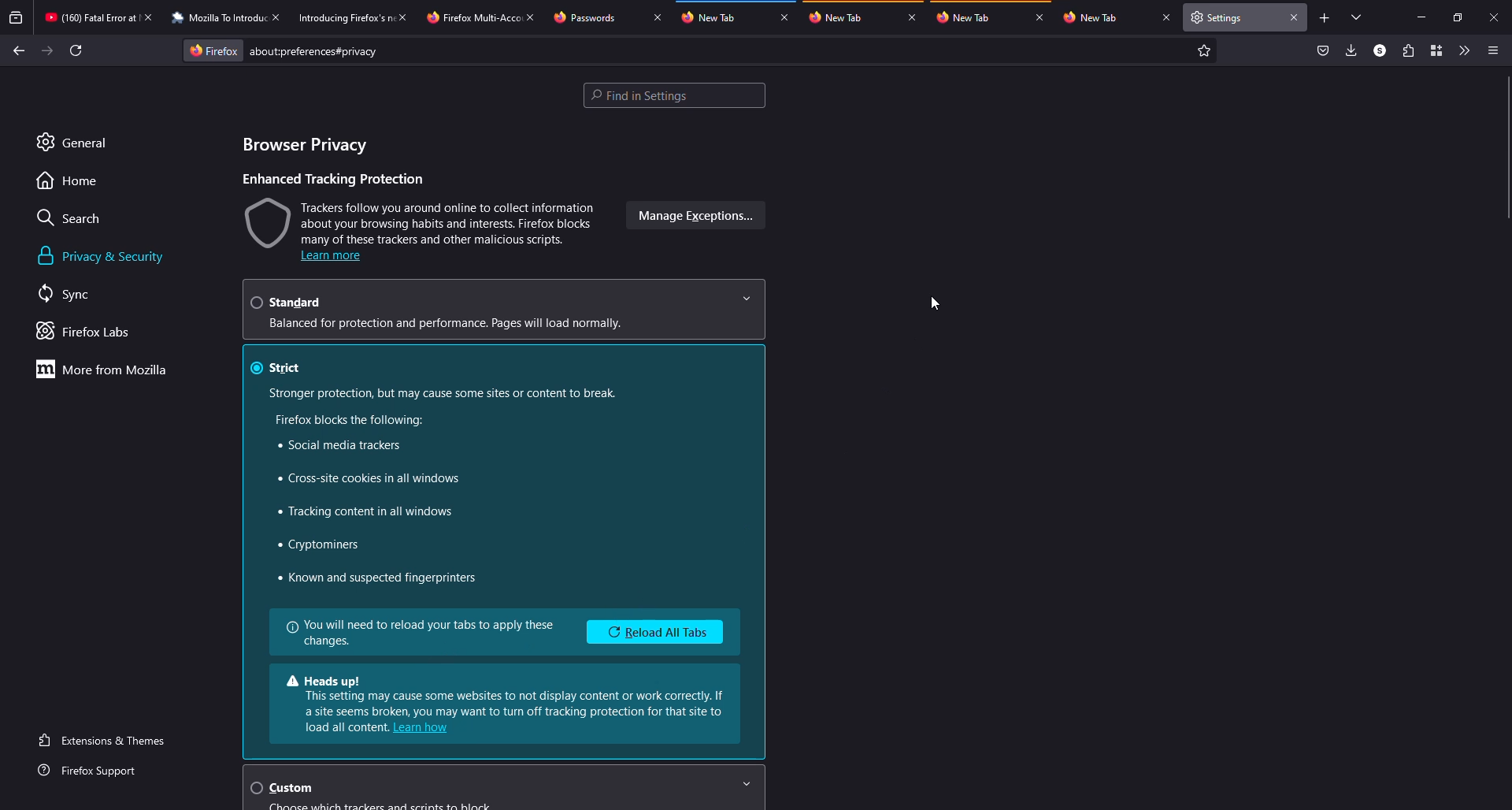 Image resolution: width=1512 pixels, height=810 pixels. Describe the element at coordinates (1418, 17) in the screenshot. I see `minimize` at that location.